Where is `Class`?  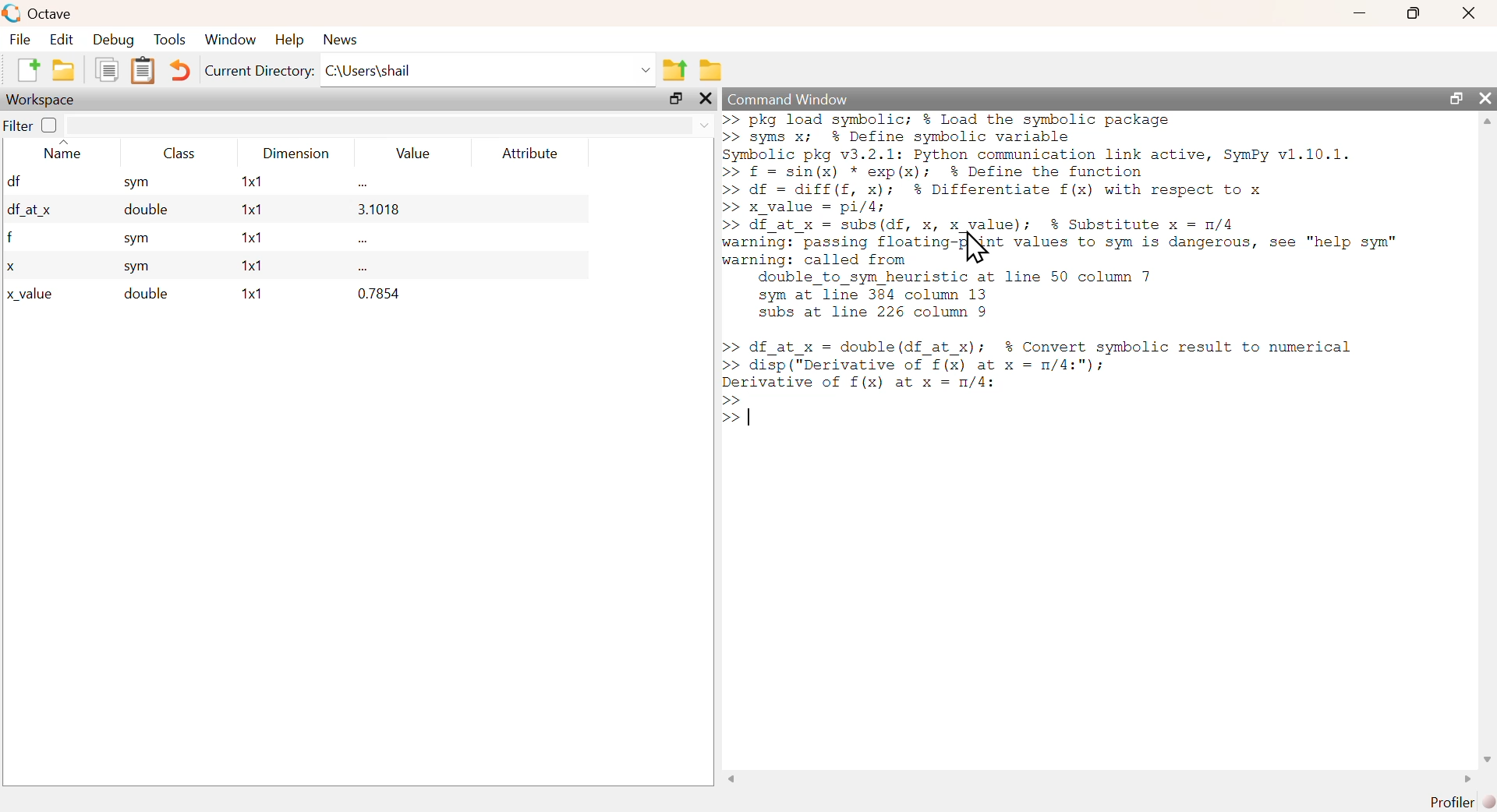 Class is located at coordinates (176, 152).